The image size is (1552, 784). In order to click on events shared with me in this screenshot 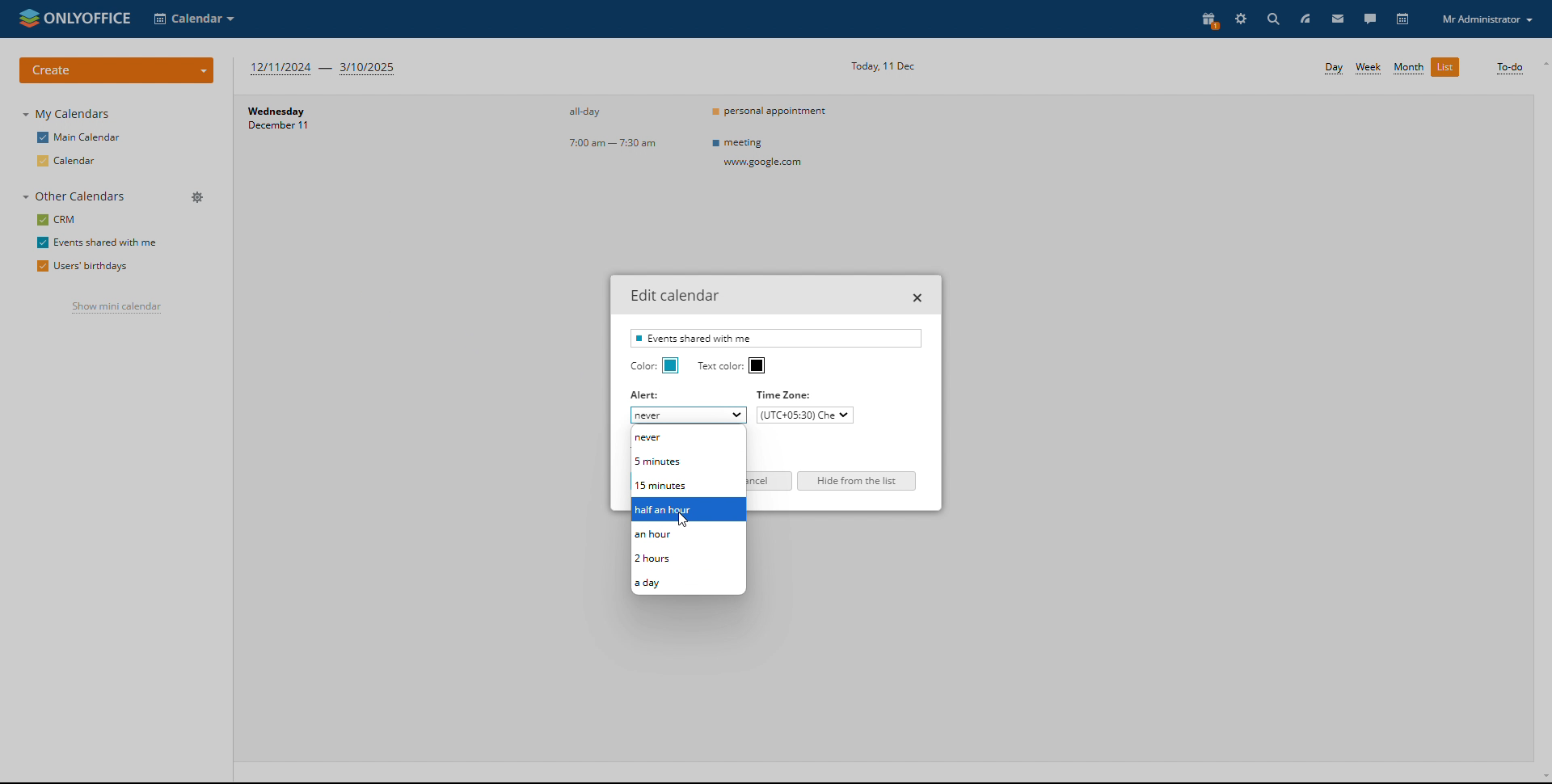, I will do `click(96, 242)`.